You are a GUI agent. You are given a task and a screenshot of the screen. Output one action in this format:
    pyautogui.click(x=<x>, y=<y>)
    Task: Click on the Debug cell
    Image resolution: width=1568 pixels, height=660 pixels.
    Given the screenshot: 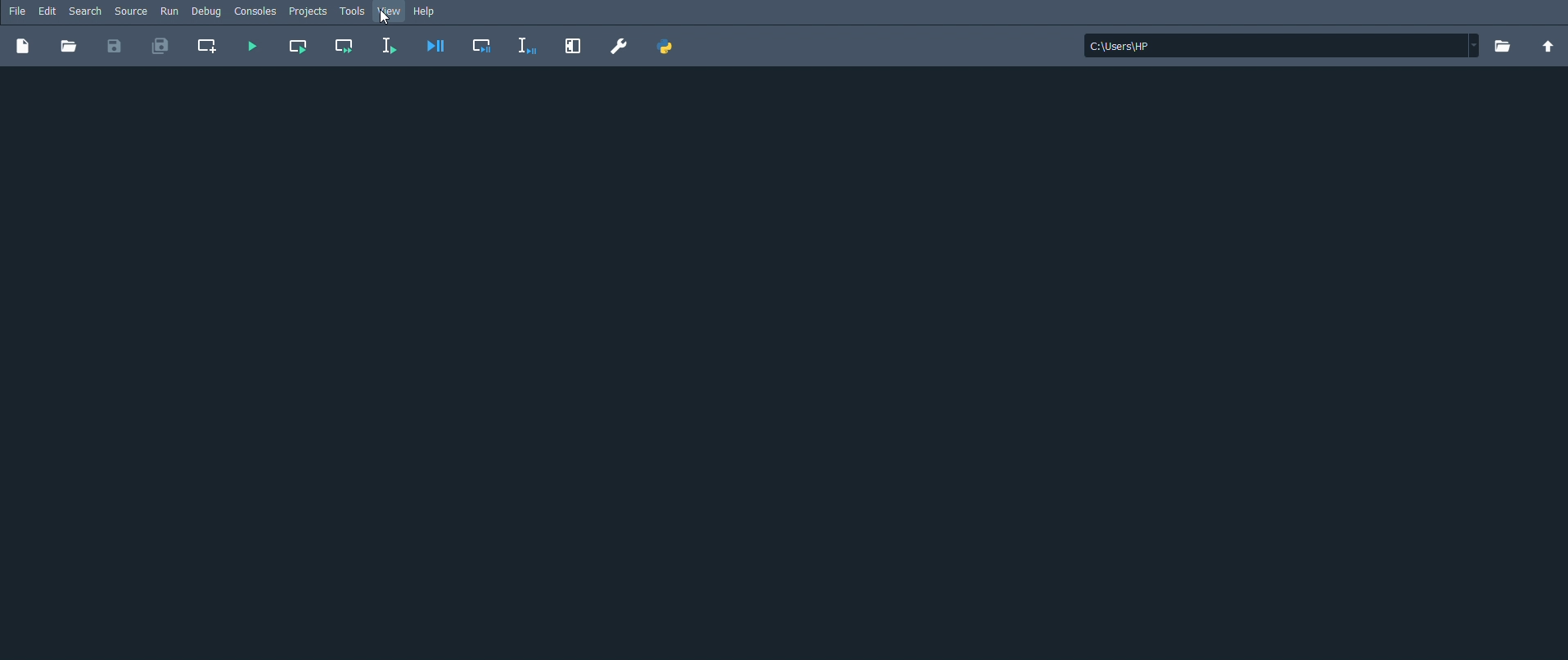 What is the action you would take?
    pyautogui.click(x=484, y=46)
    